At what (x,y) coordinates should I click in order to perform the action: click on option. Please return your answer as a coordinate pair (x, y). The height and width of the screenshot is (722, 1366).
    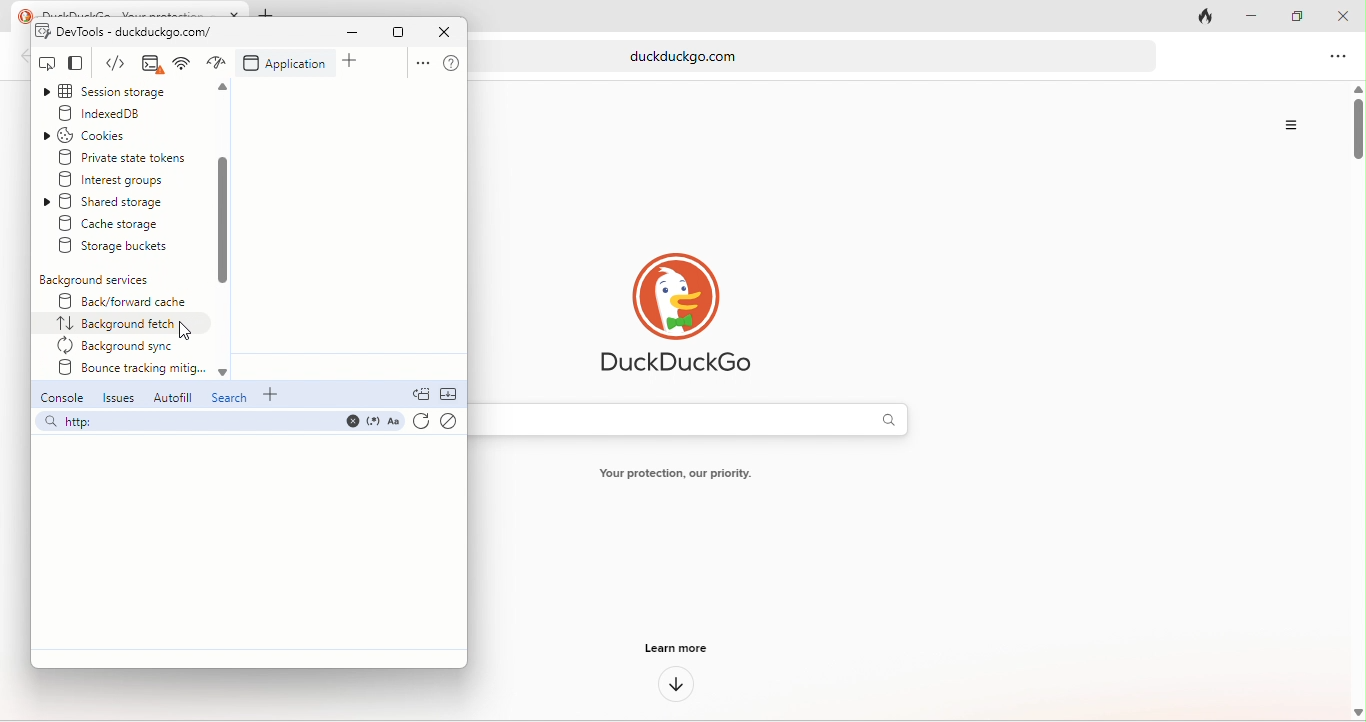
    Looking at the image, I should click on (1340, 58).